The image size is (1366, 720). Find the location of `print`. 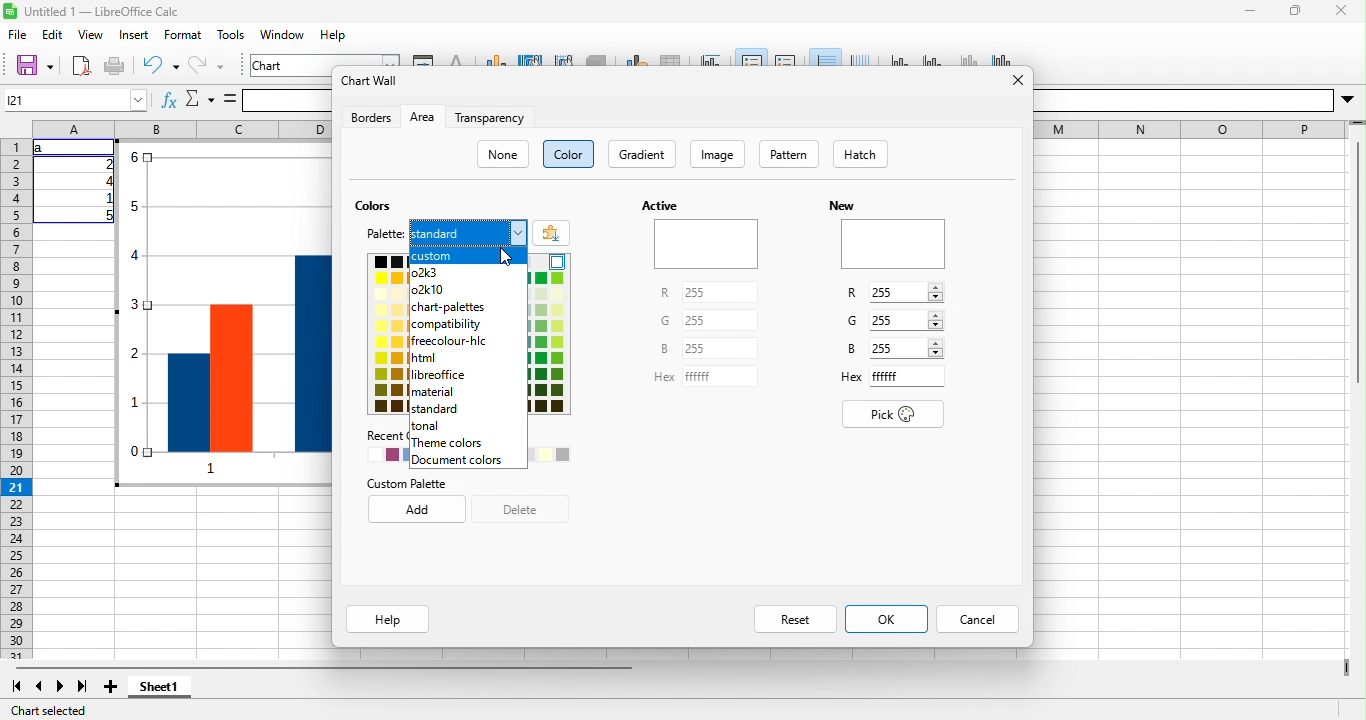

print is located at coordinates (114, 66).